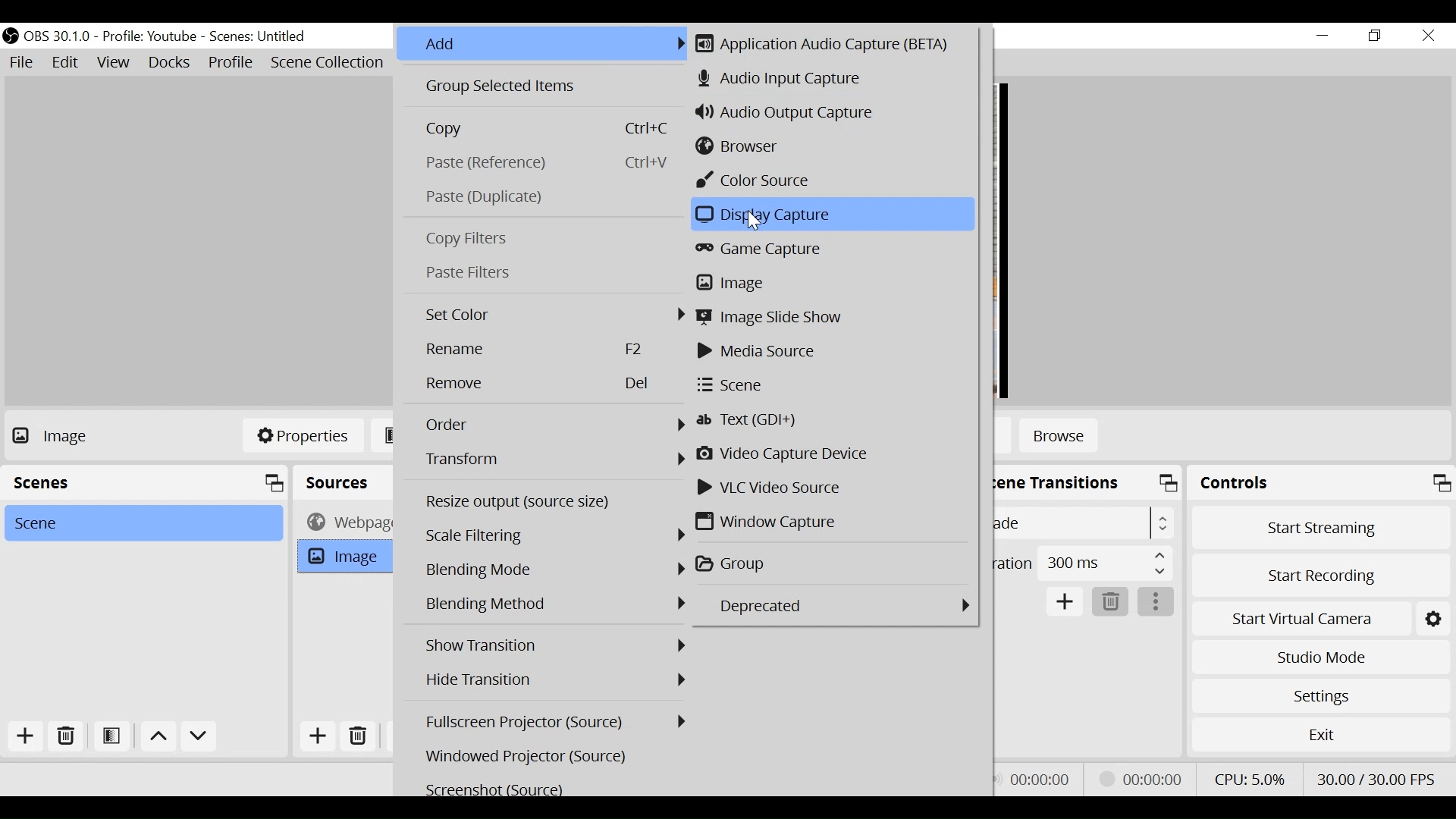 This screenshot has width=1456, height=819. Describe the element at coordinates (1156, 602) in the screenshot. I see `more options` at that location.